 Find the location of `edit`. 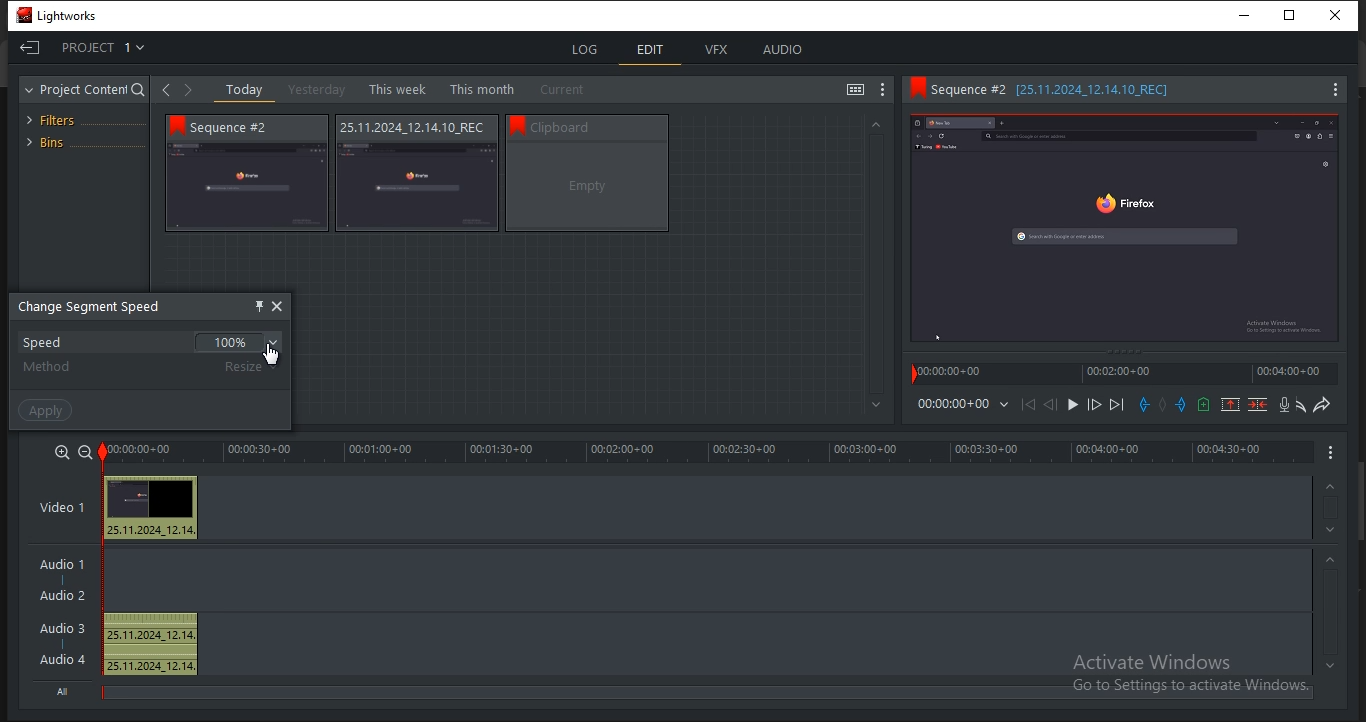

edit is located at coordinates (653, 48).